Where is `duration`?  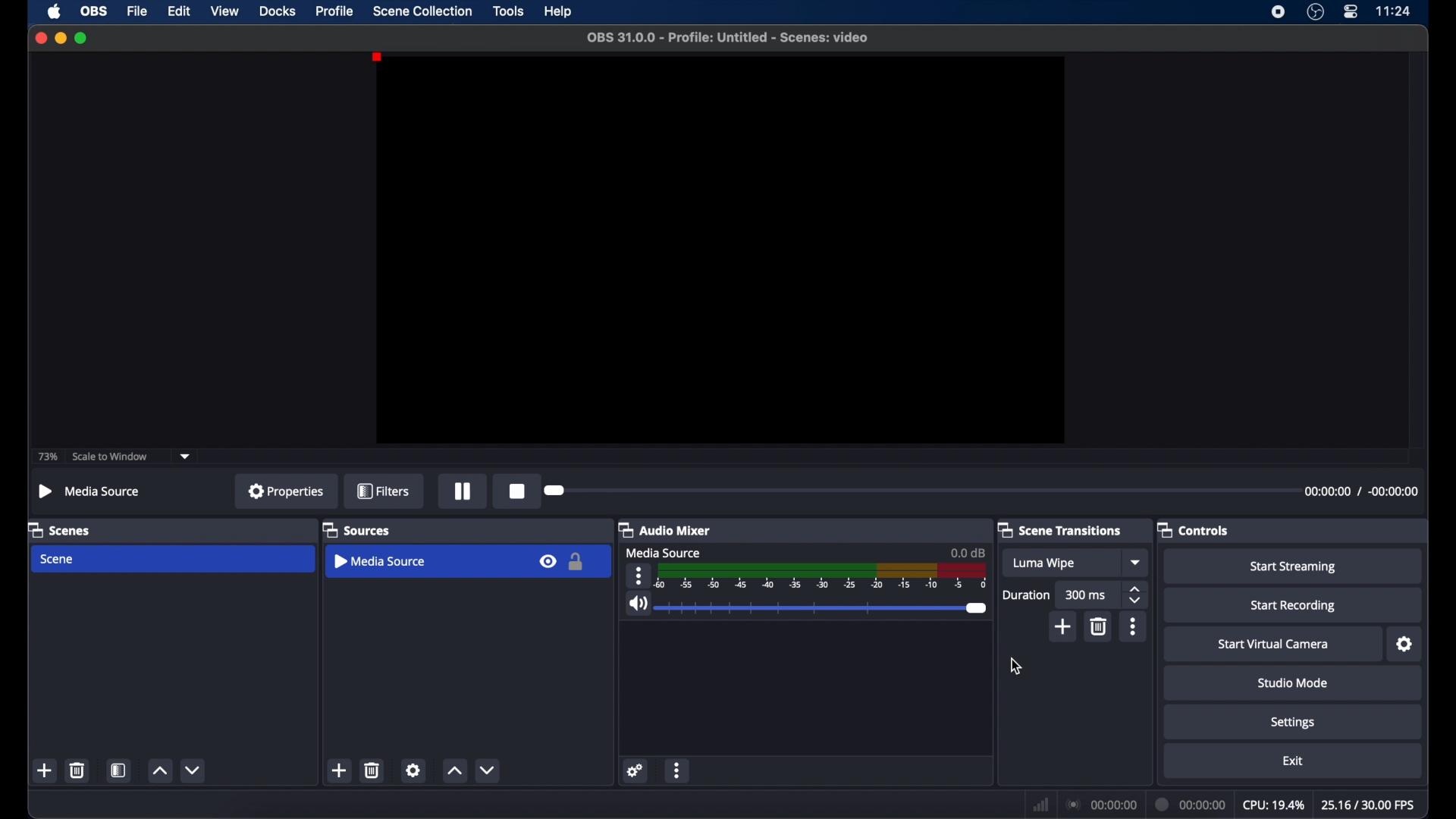 duration is located at coordinates (1025, 595).